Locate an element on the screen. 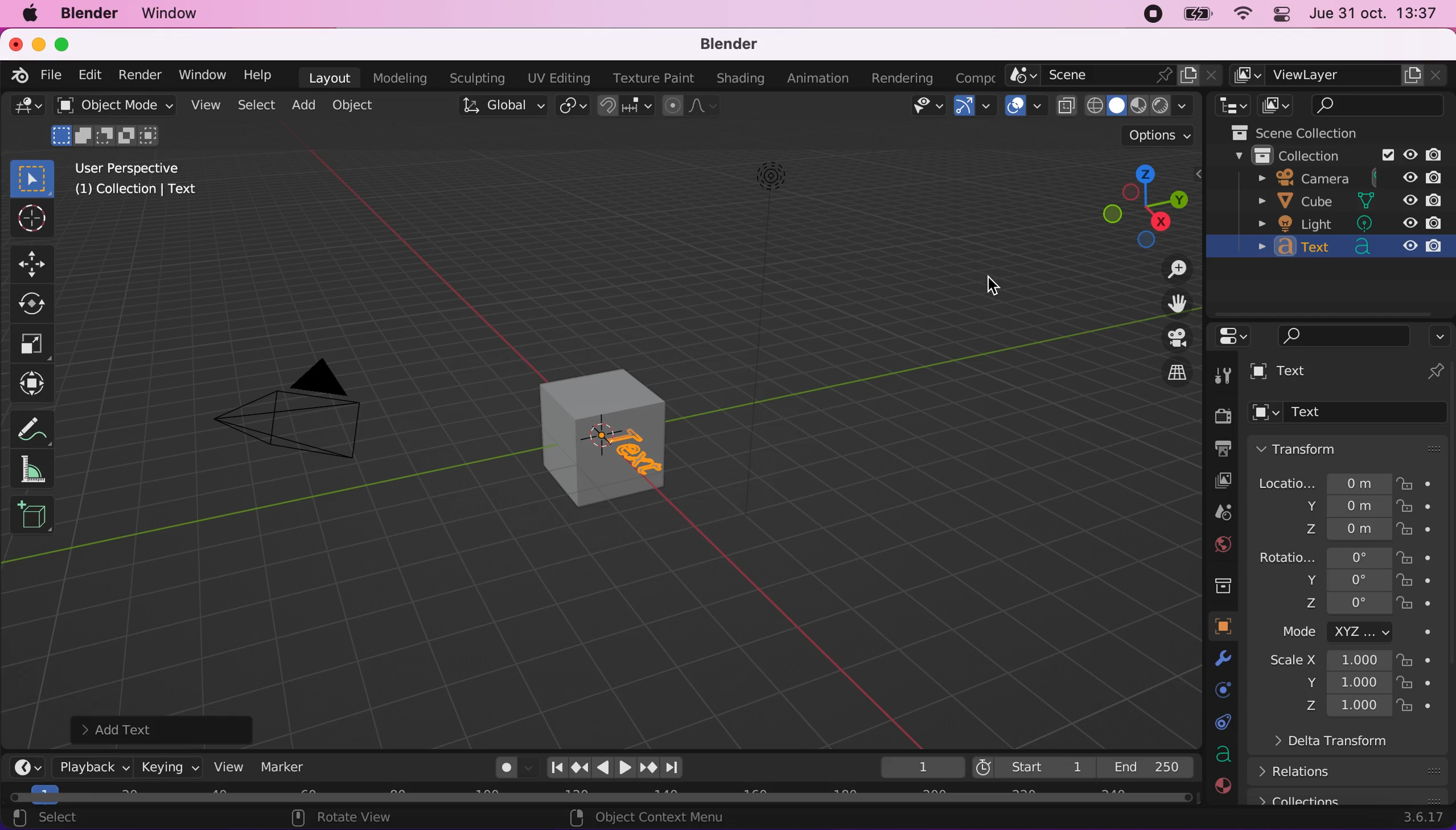 The height and width of the screenshot is (830, 1456). editor type is located at coordinates (27, 106).